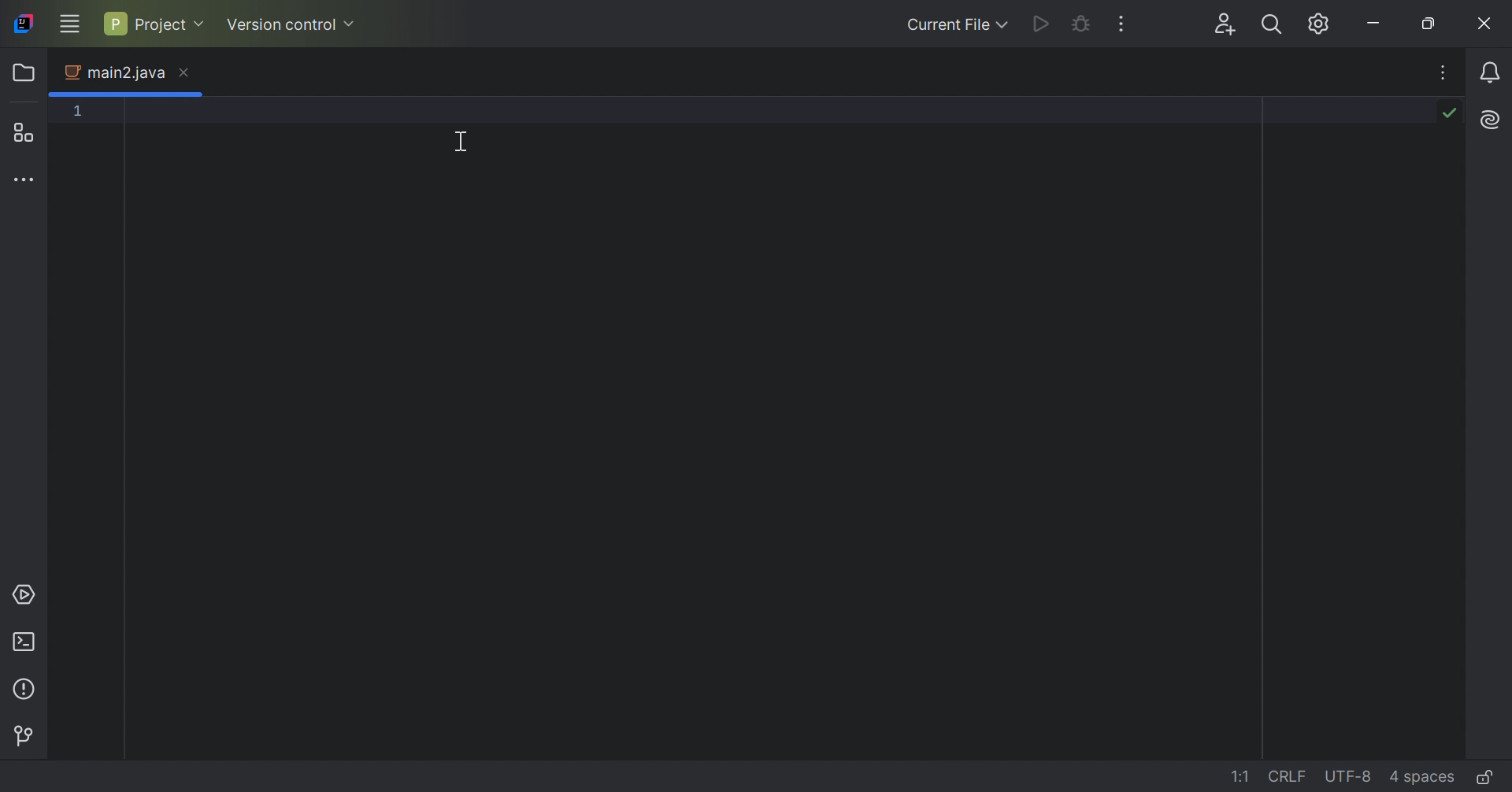 This screenshot has height=792, width=1512. Describe the element at coordinates (188, 72) in the screenshot. I see `Close` at that location.